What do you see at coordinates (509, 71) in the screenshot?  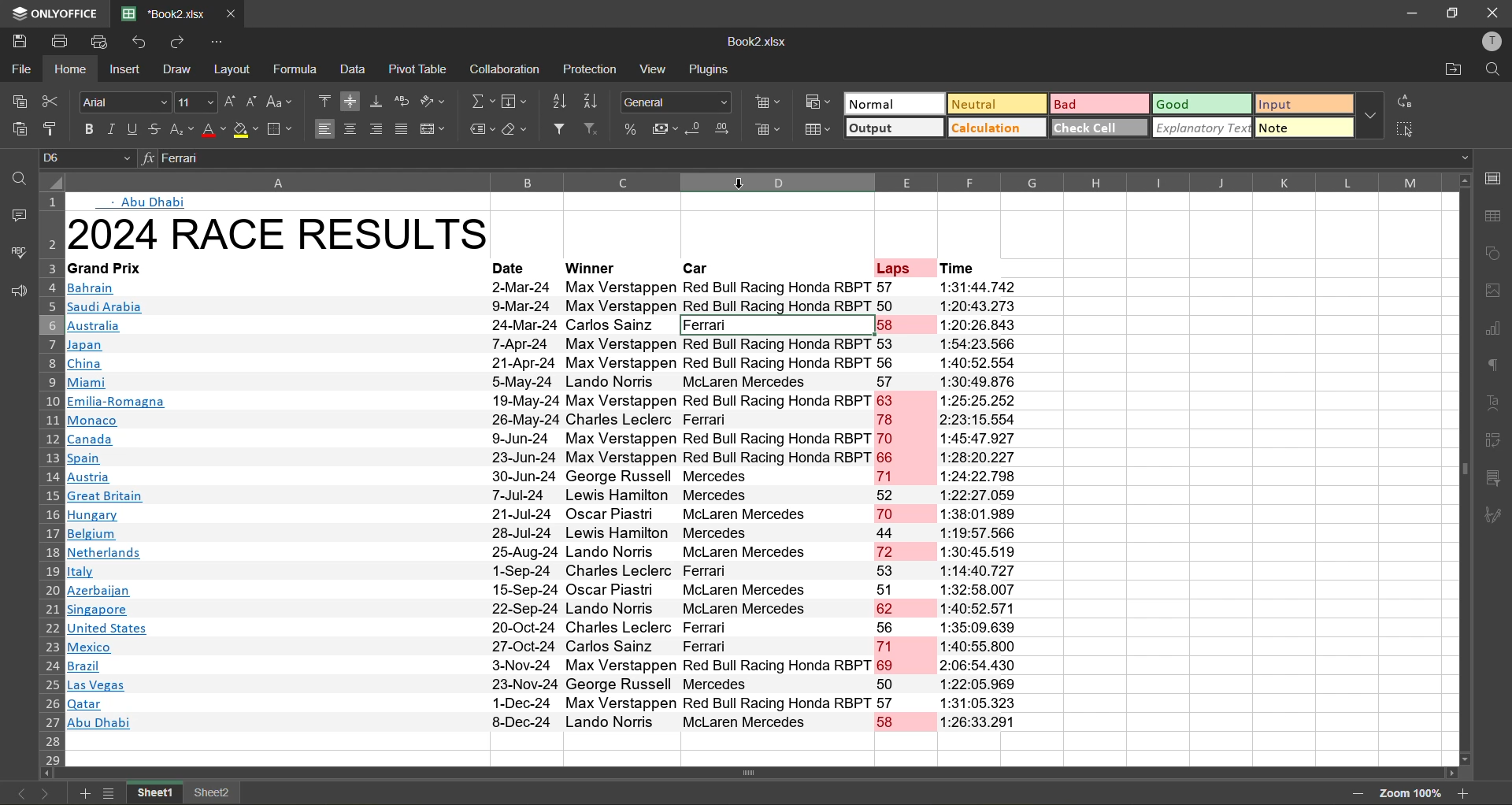 I see `collaboration` at bounding box center [509, 71].